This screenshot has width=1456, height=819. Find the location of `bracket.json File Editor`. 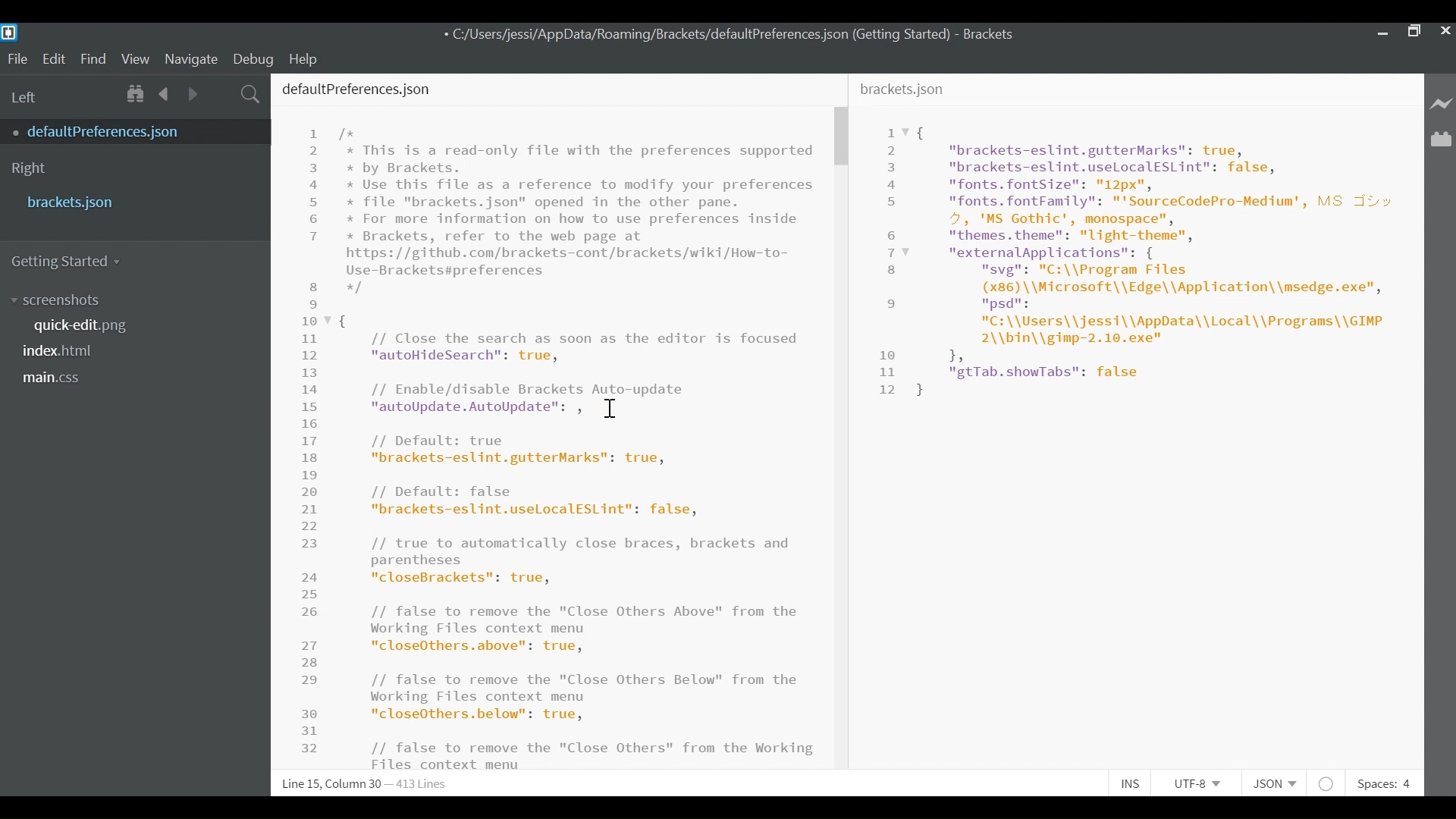

bracket.json File Editor is located at coordinates (1136, 423).